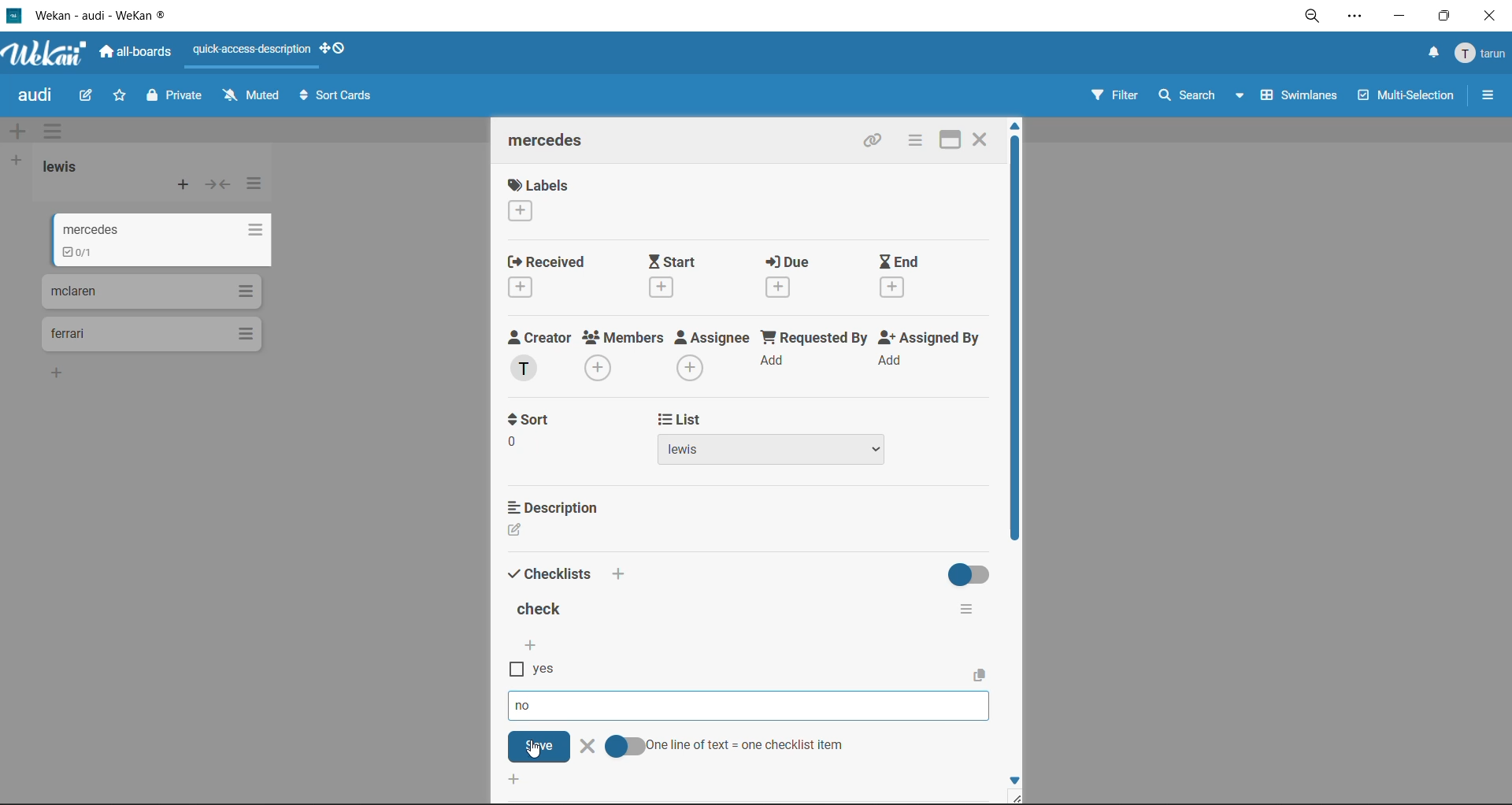 Image resolution: width=1512 pixels, height=805 pixels. Describe the element at coordinates (933, 354) in the screenshot. I see `assigned by` at that location.